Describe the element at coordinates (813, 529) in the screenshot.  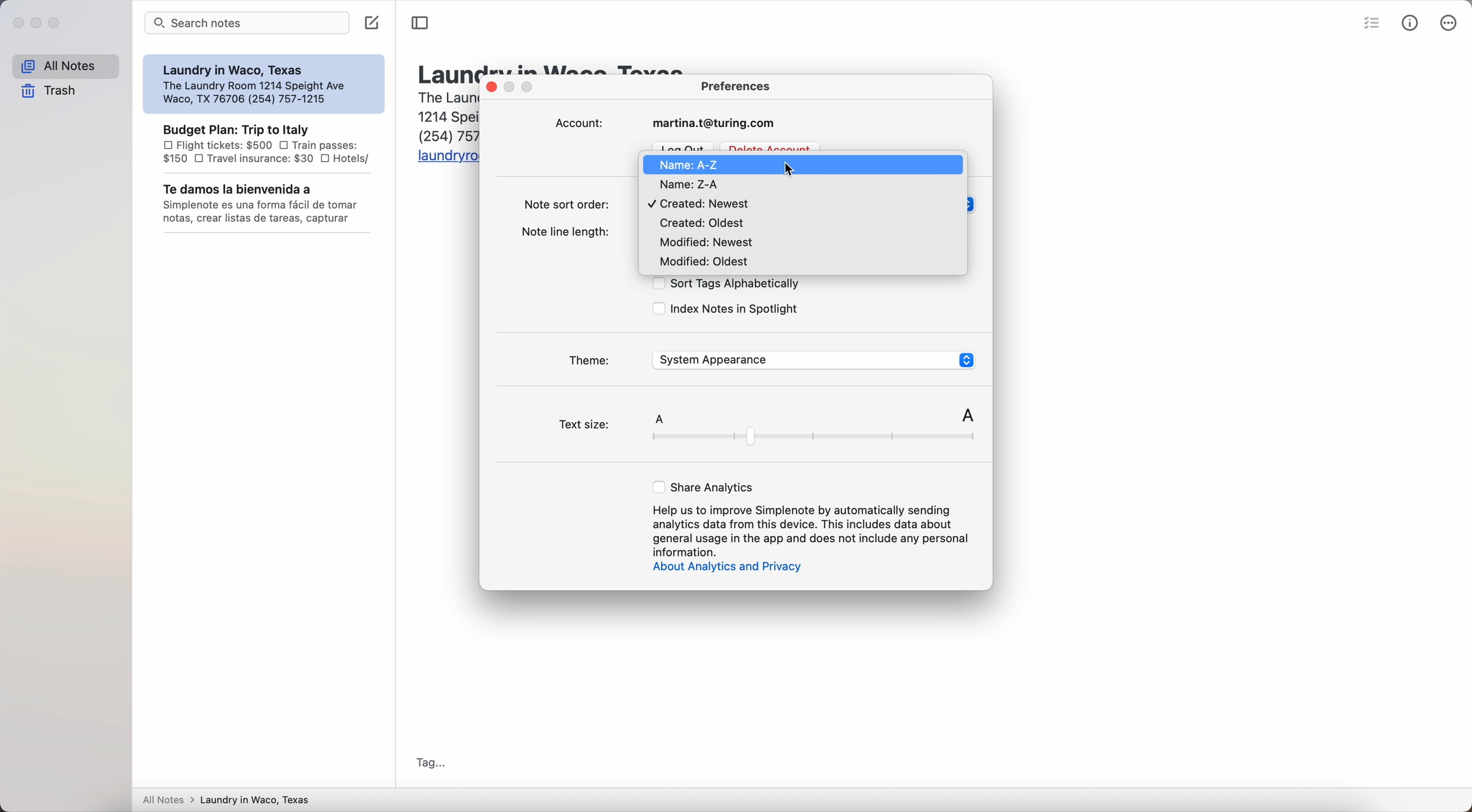
I see `Help us to improve Simplenote by automatically sending analytics data from this devices.` at that location.